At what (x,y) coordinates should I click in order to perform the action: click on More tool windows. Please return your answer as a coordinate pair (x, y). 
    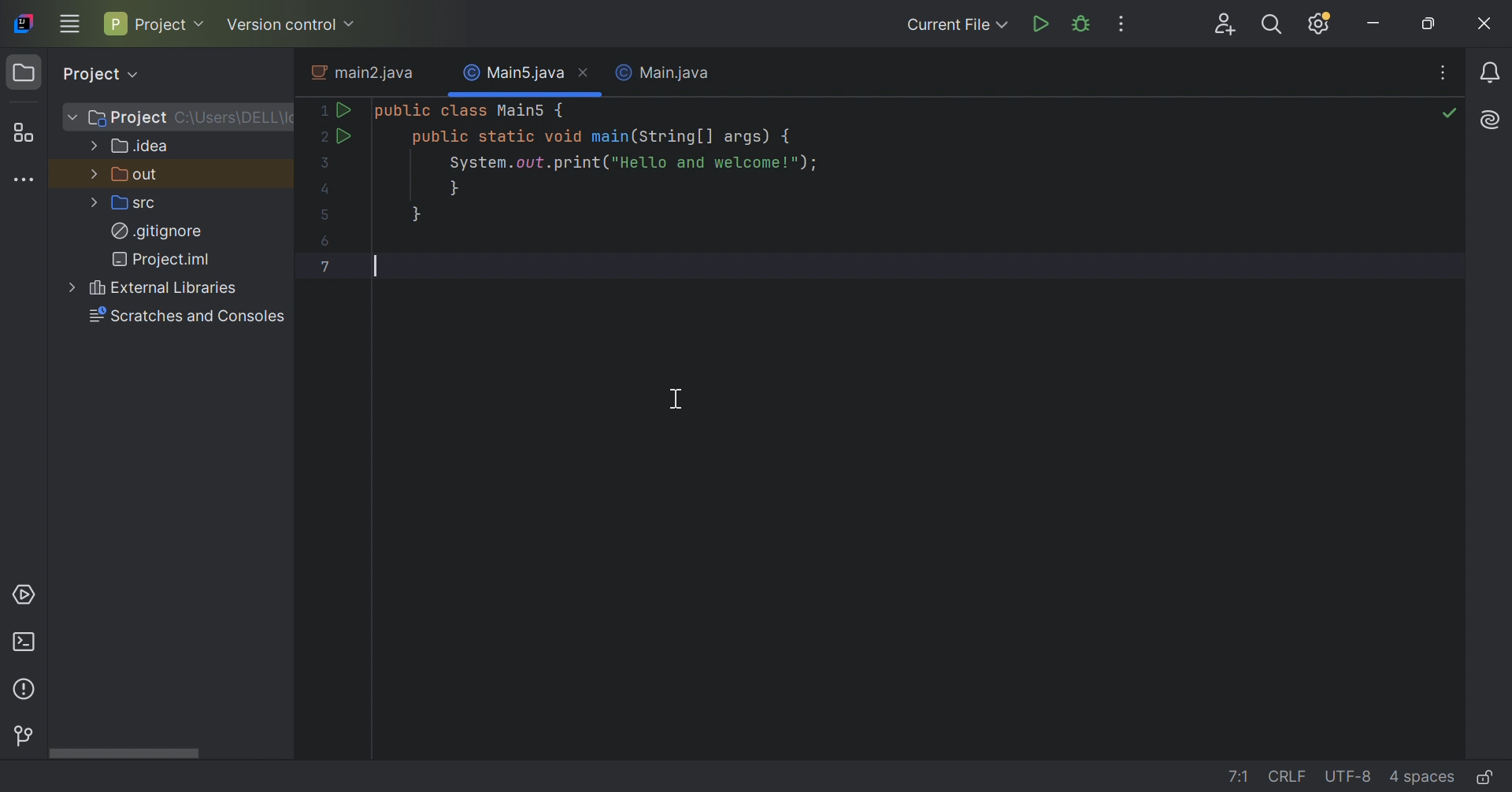
    Looking at the image, I should click on (24, 180).